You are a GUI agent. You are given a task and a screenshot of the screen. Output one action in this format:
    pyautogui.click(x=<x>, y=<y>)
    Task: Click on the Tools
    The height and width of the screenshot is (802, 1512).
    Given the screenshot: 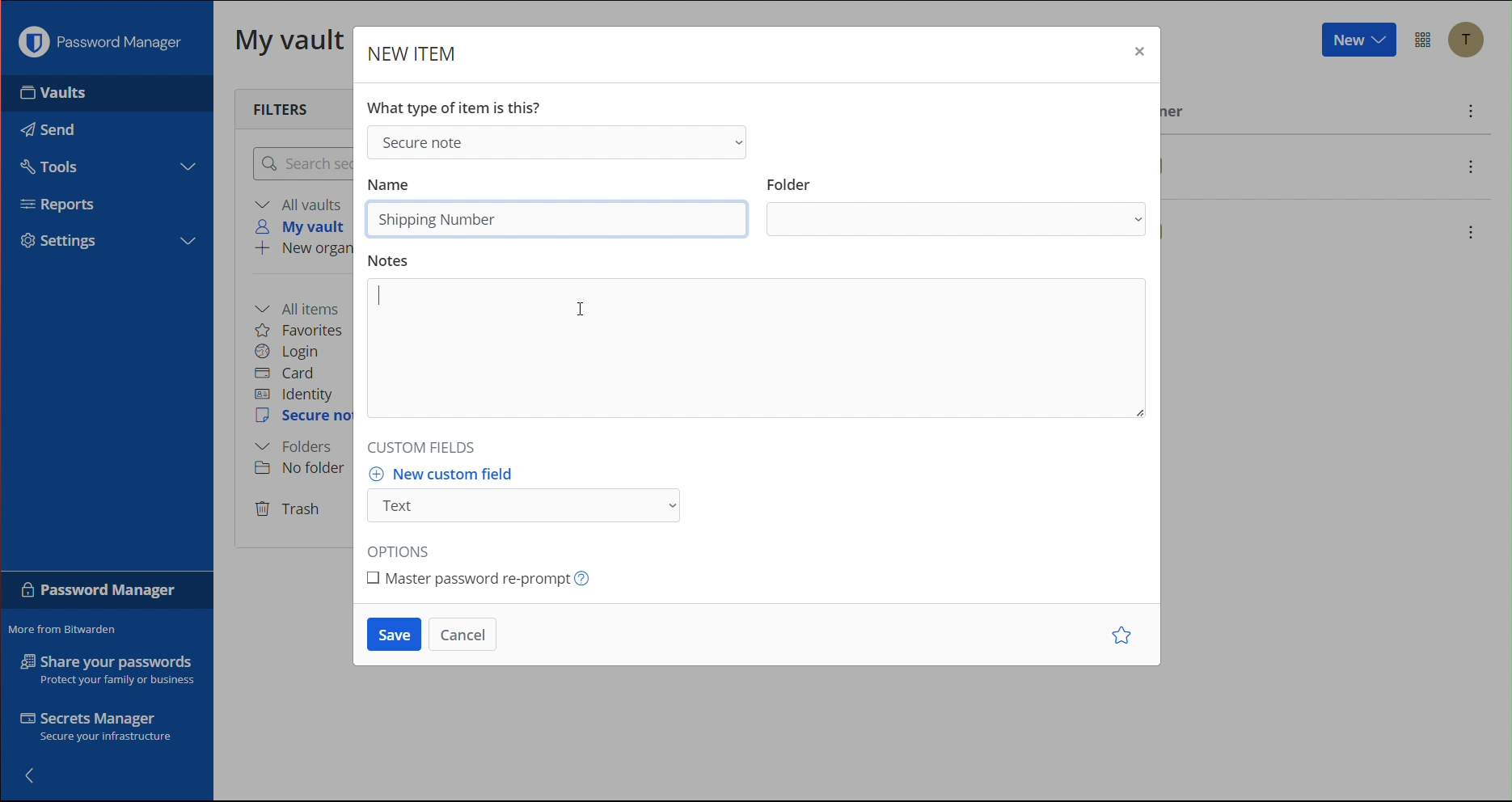 What is the action you would take?
    pyautogui.click(x=55, y=167)
    